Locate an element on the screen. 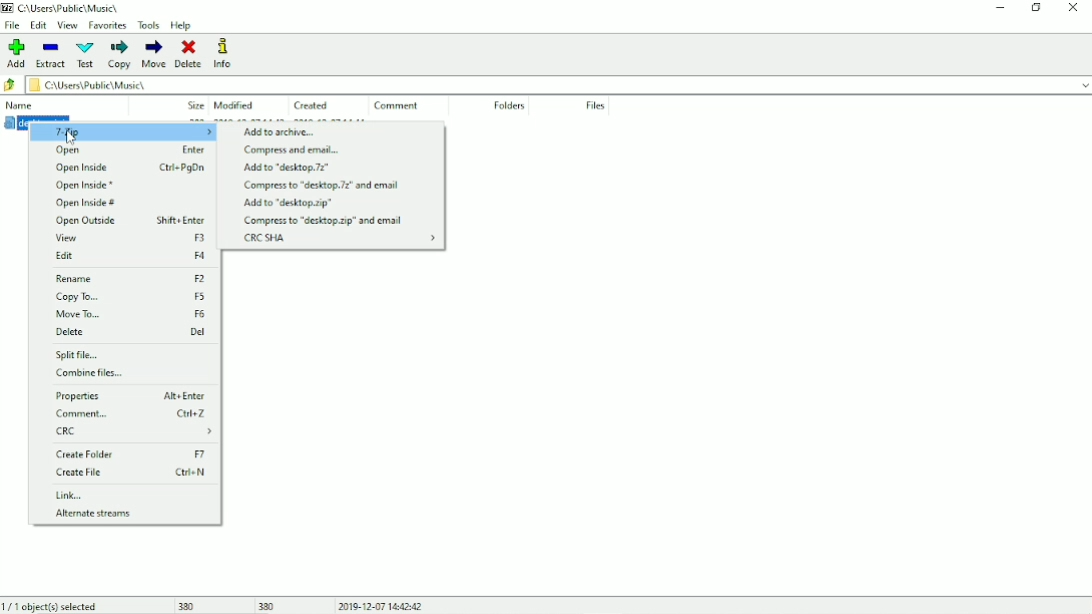 This screenshot has height=614, width=1092. Delete  is located at coordinates (190, 54).